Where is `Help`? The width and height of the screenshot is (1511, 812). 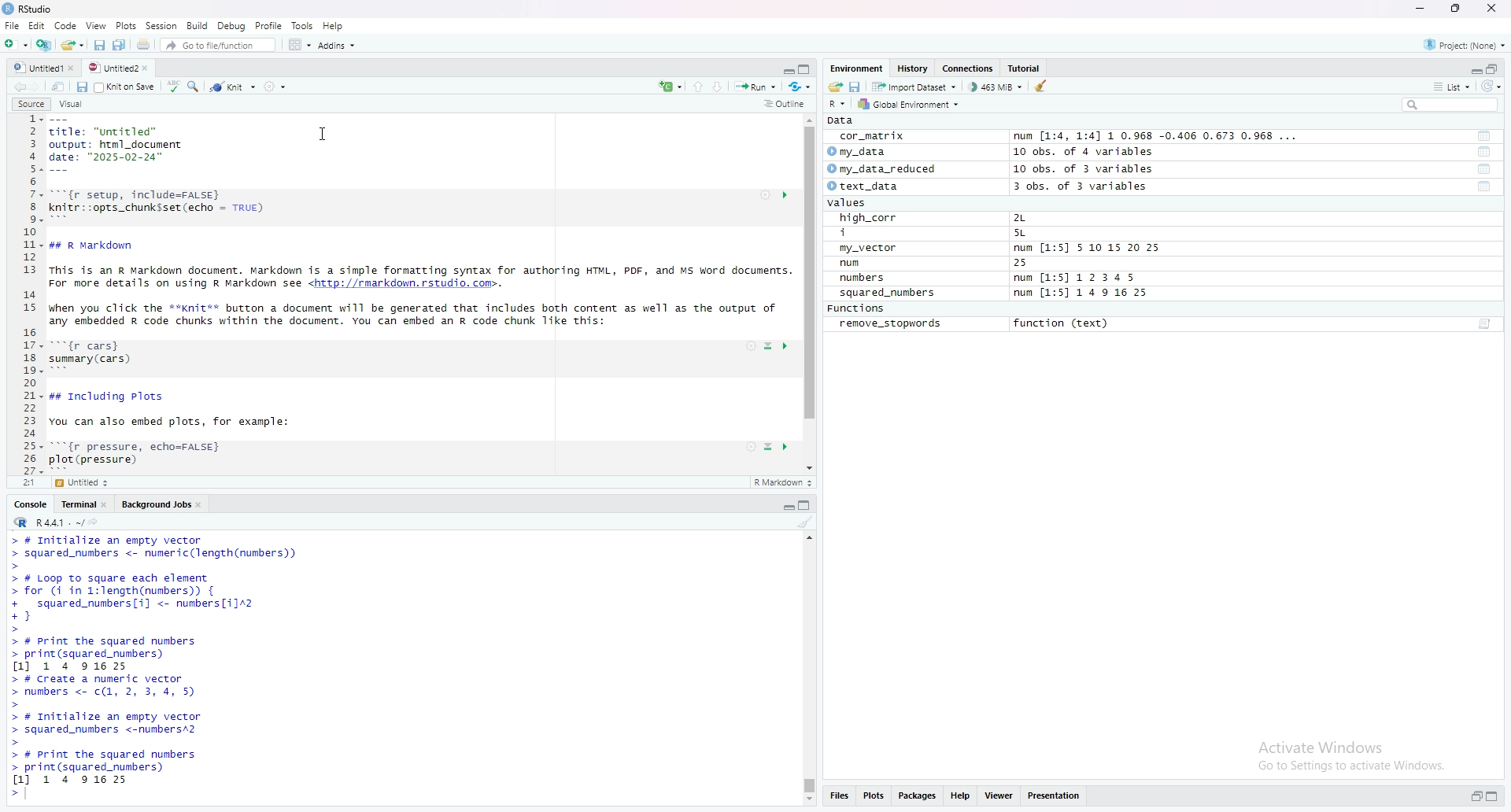 Help is located at coordinates (962, 798).